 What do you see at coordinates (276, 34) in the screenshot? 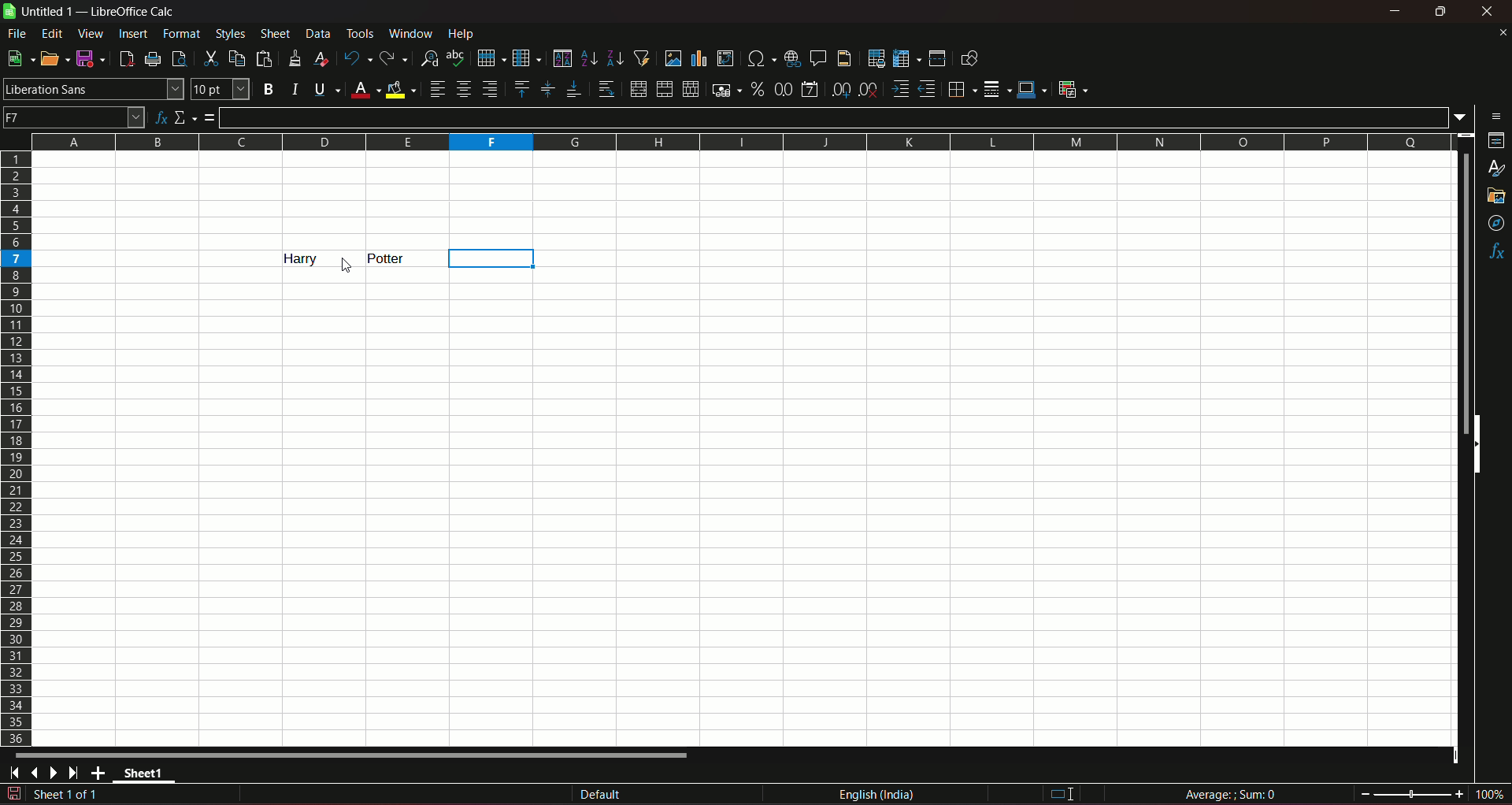
I see `sheet` at bounding box center [276, 34].